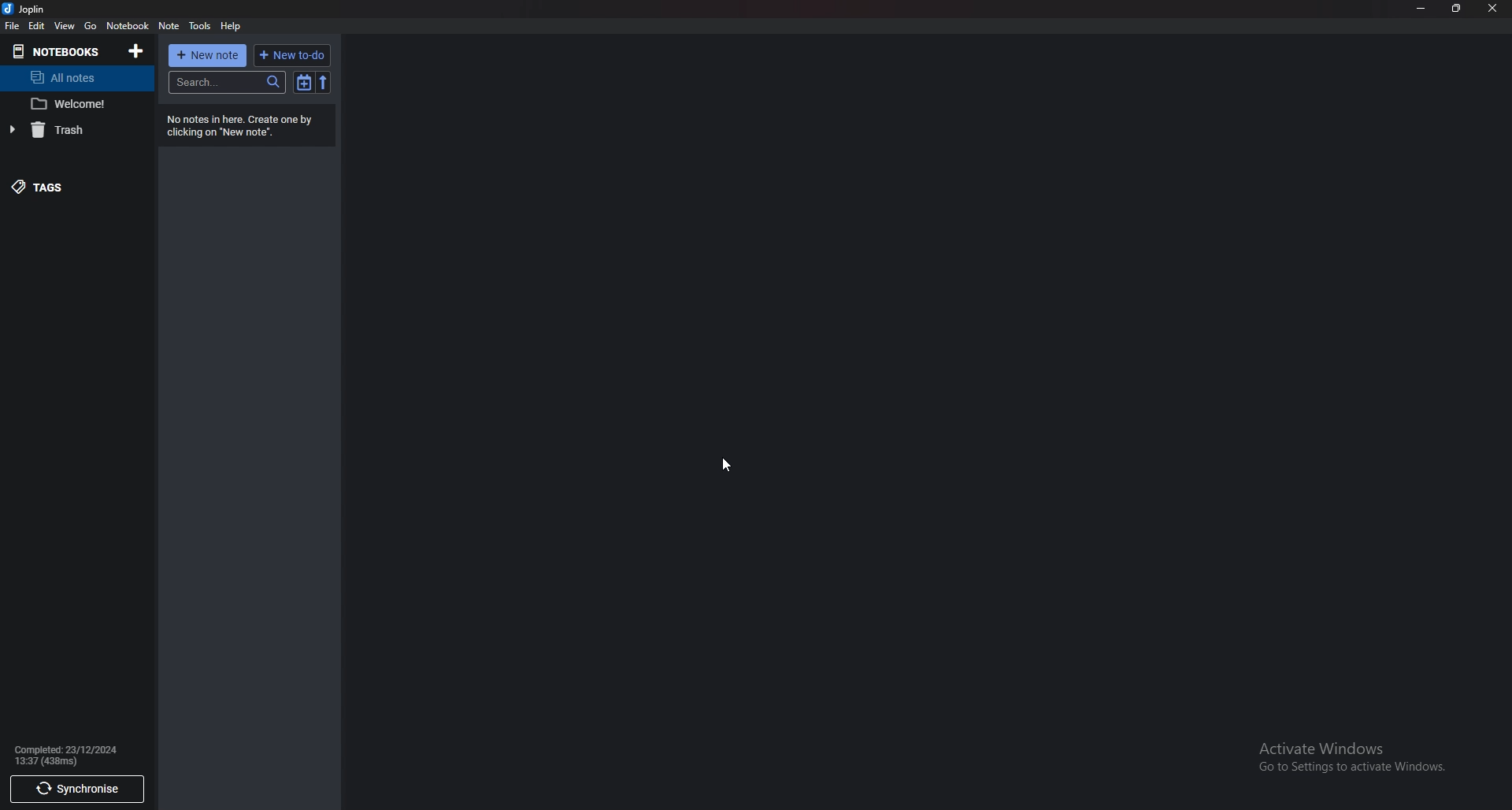 The image size is (1512, 810). What do you see at coordinates (207, 56) in the screenshot?
I see `New note` at bounding box center [207, 56].